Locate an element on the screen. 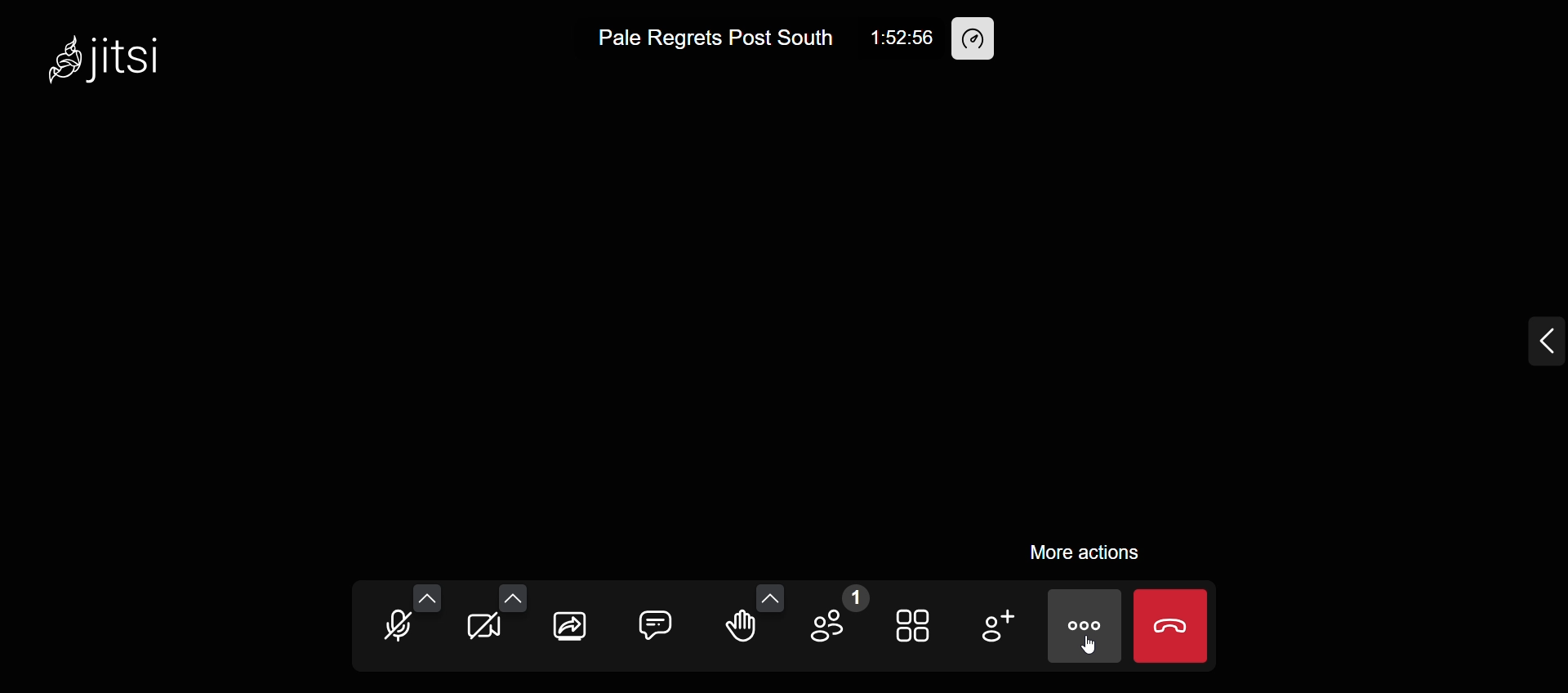  toggle view is located at coordinates (915, 629).